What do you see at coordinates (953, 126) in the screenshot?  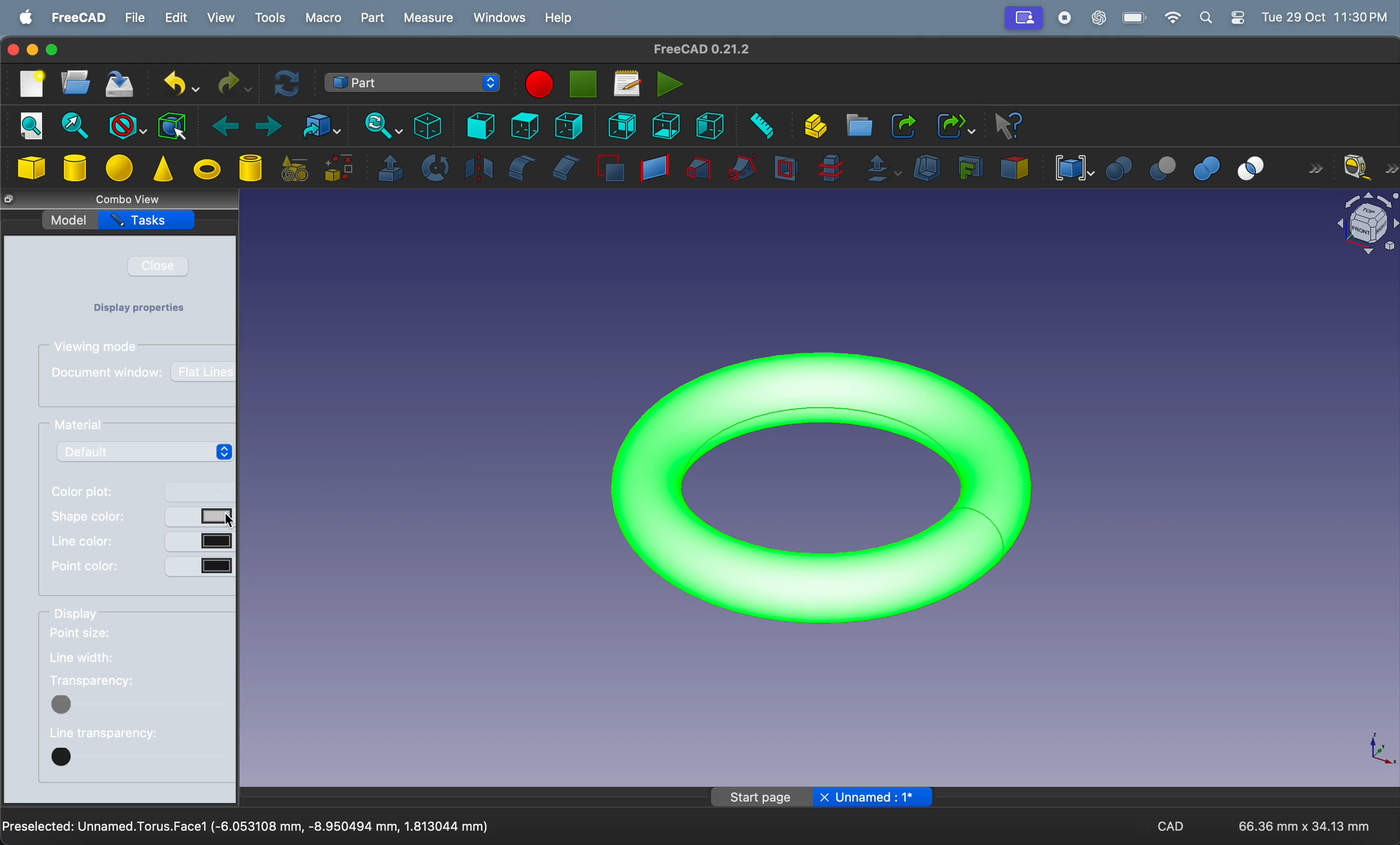 I see `make sub link` at bounding box center [953, 126].